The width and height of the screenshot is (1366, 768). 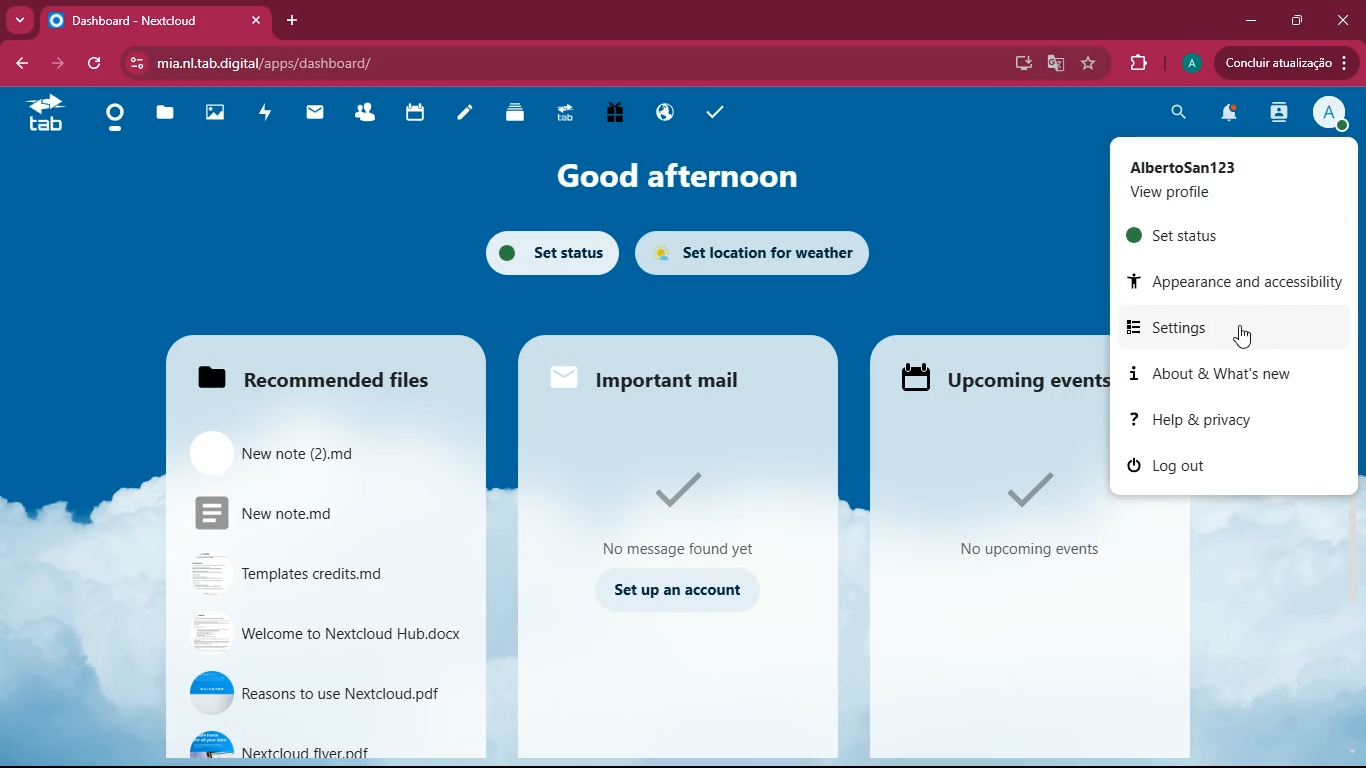 I want to click on file, so click(x=327, y=742).